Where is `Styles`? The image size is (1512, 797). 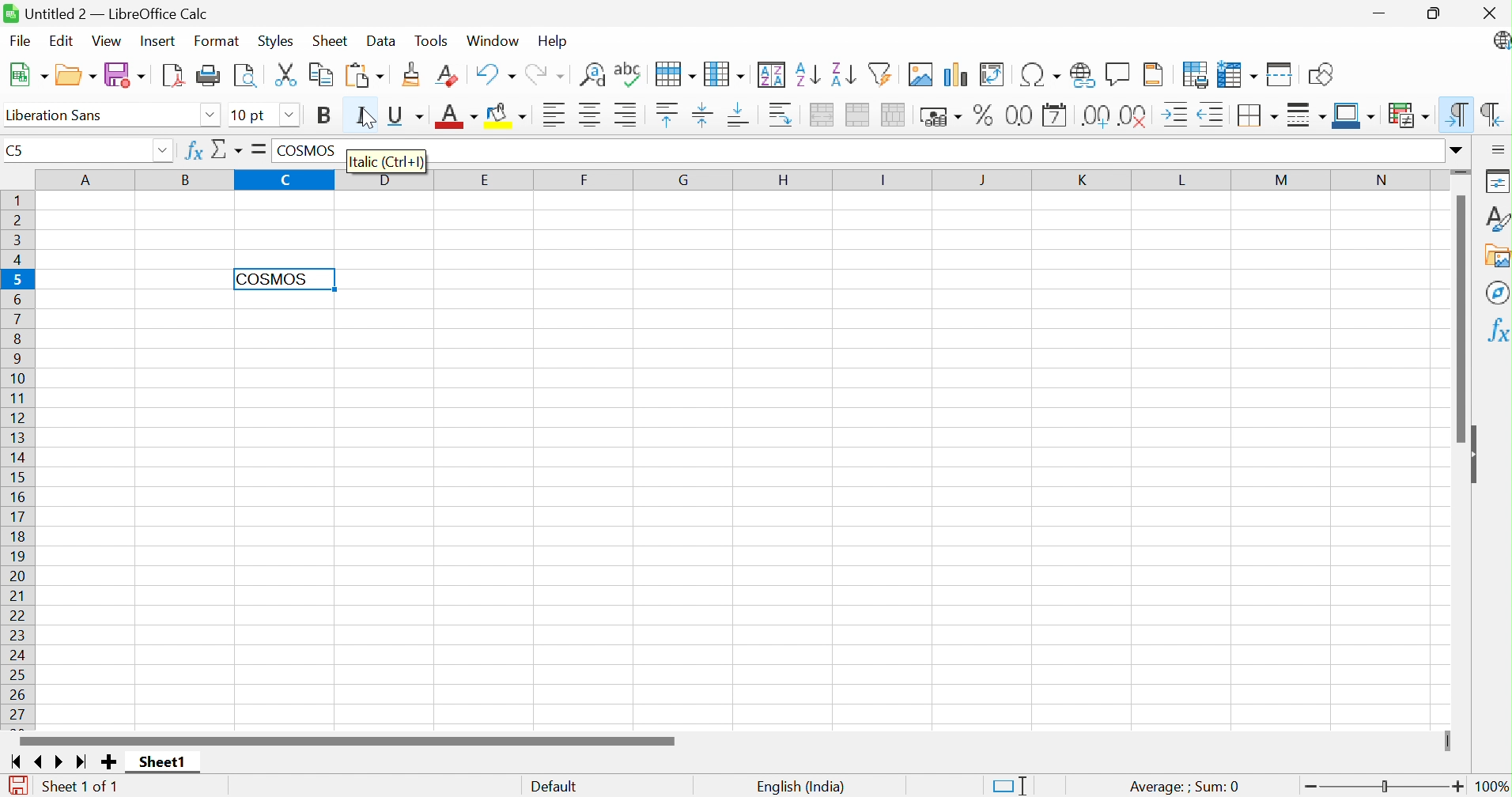
Styles is located at coordinates (1498, 218).